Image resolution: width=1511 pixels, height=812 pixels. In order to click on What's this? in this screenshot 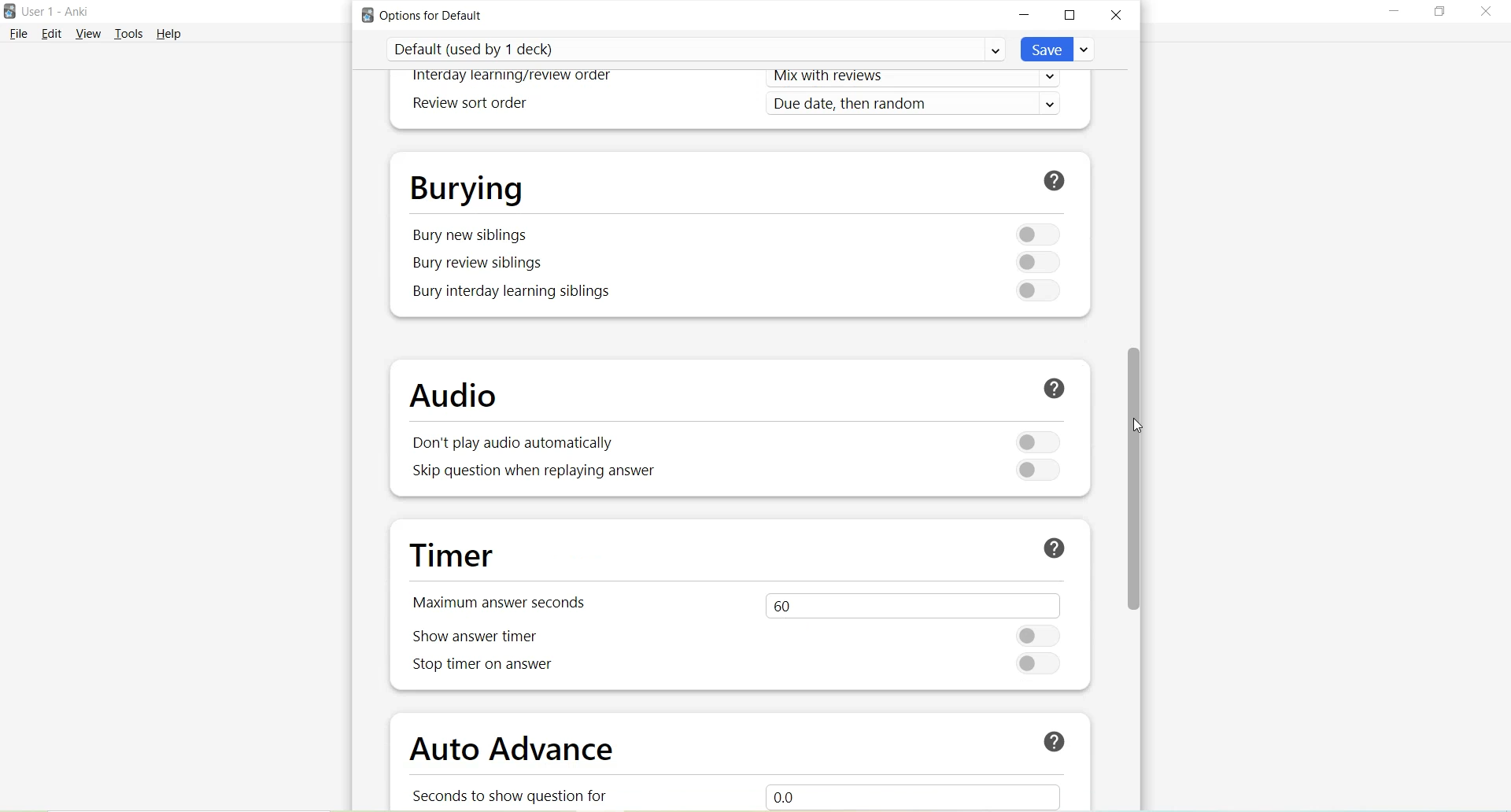, I will do `click(1047, 739)`.